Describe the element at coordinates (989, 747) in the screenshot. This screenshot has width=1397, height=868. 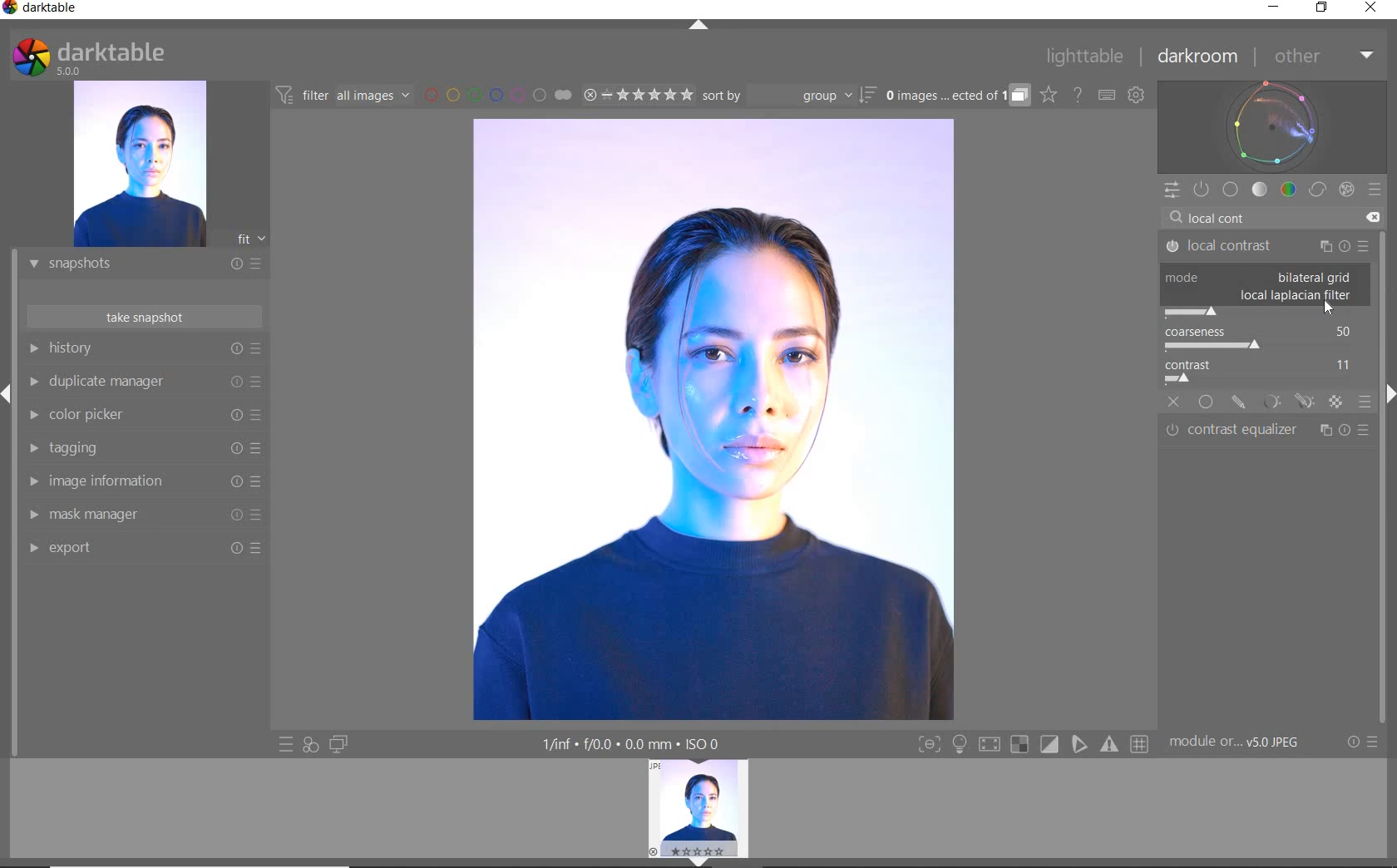
I see `Button` at that location.